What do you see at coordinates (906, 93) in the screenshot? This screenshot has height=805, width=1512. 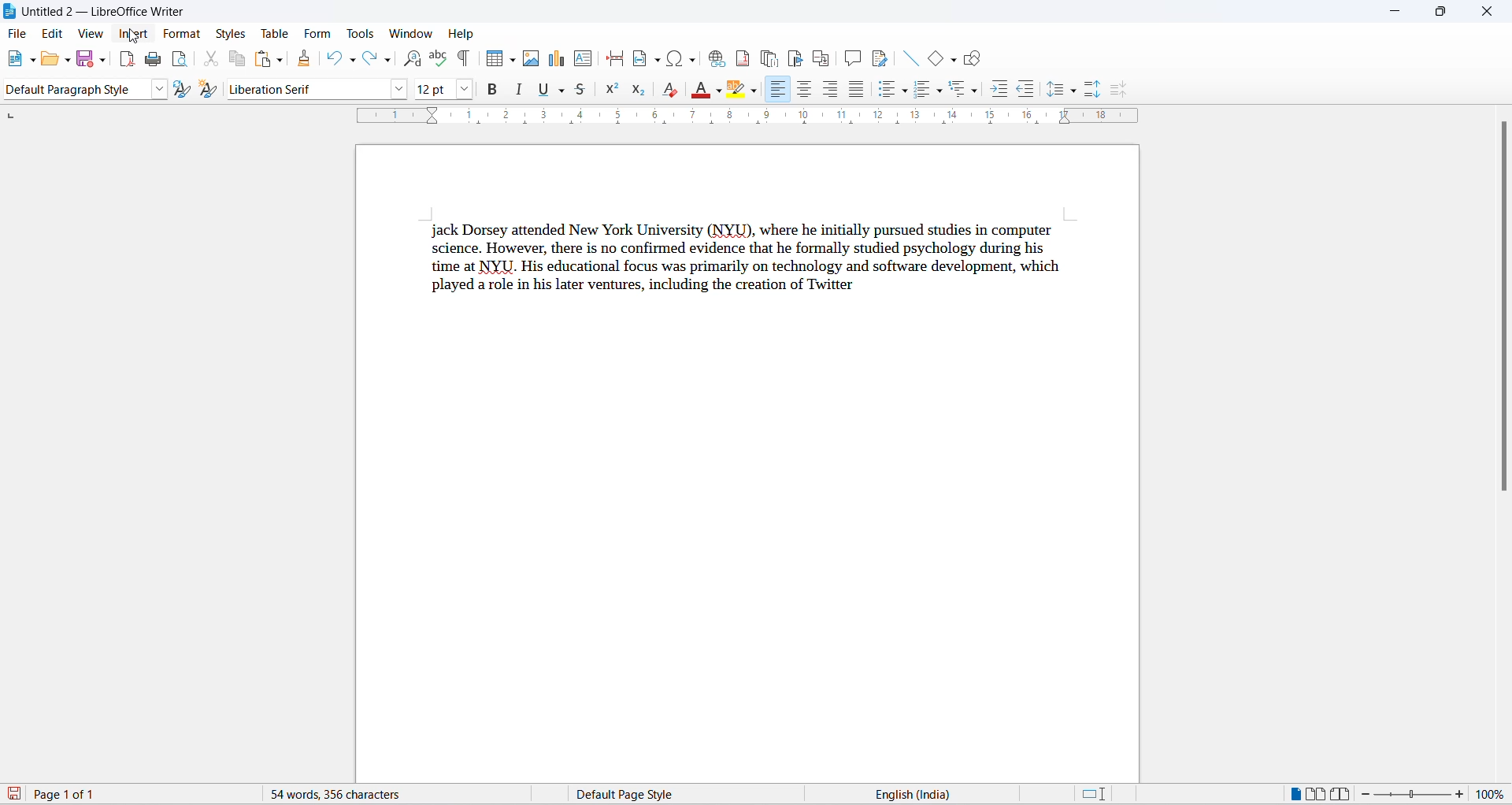 I see `toggle unordered list options` at bounding box center [906, 93].